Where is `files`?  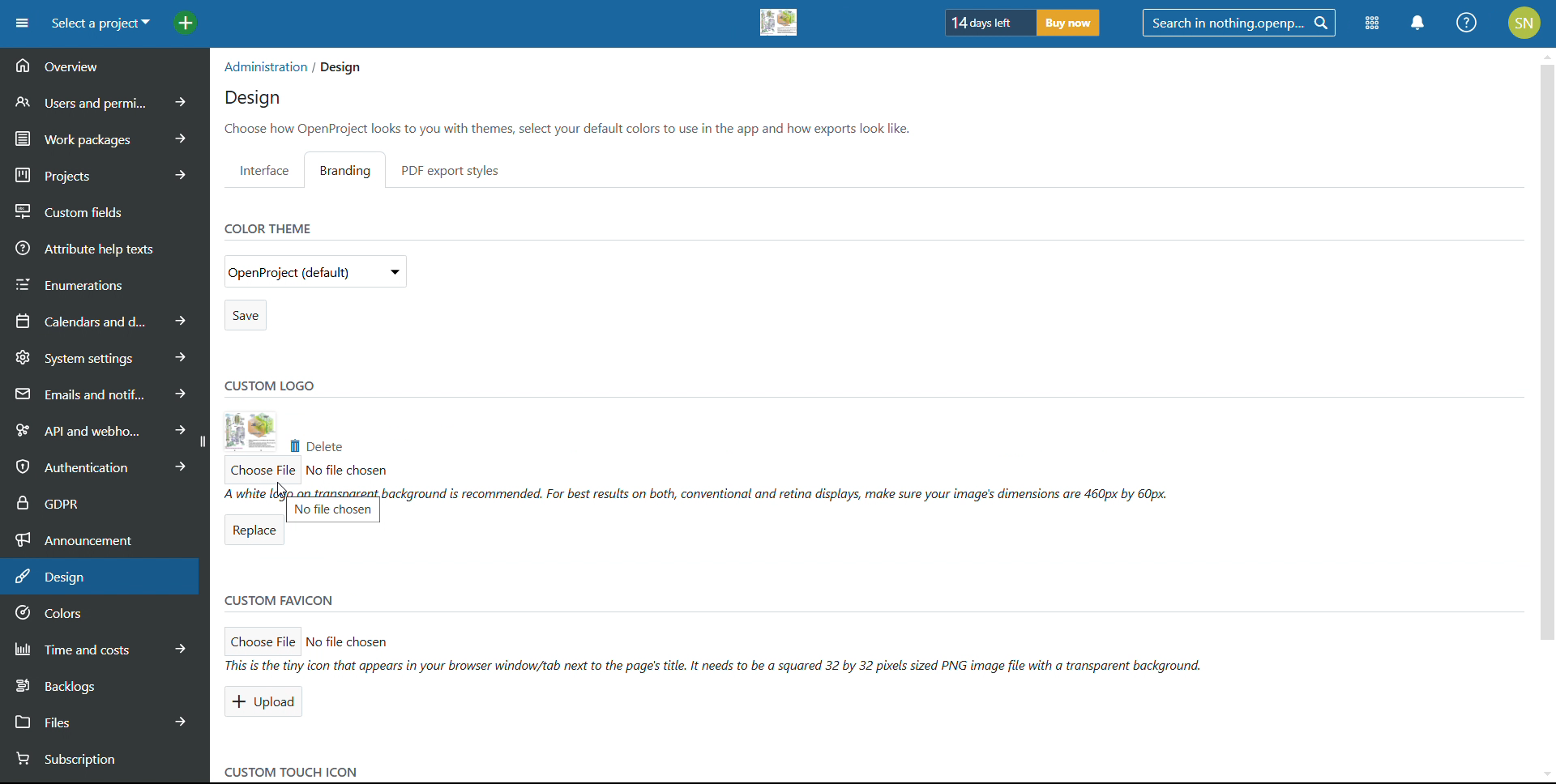
files is located at coordinates (101, 720).